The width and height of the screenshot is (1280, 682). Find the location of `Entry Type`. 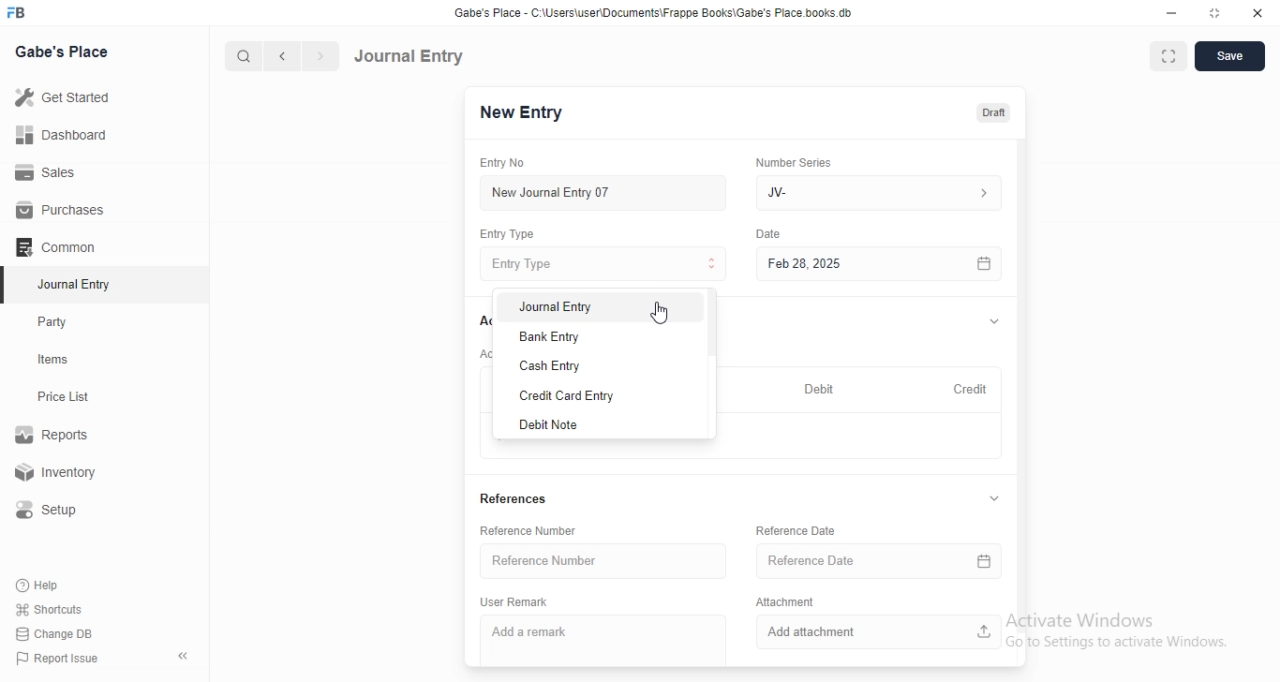

Entry Type is located at coordinates (509, 234).